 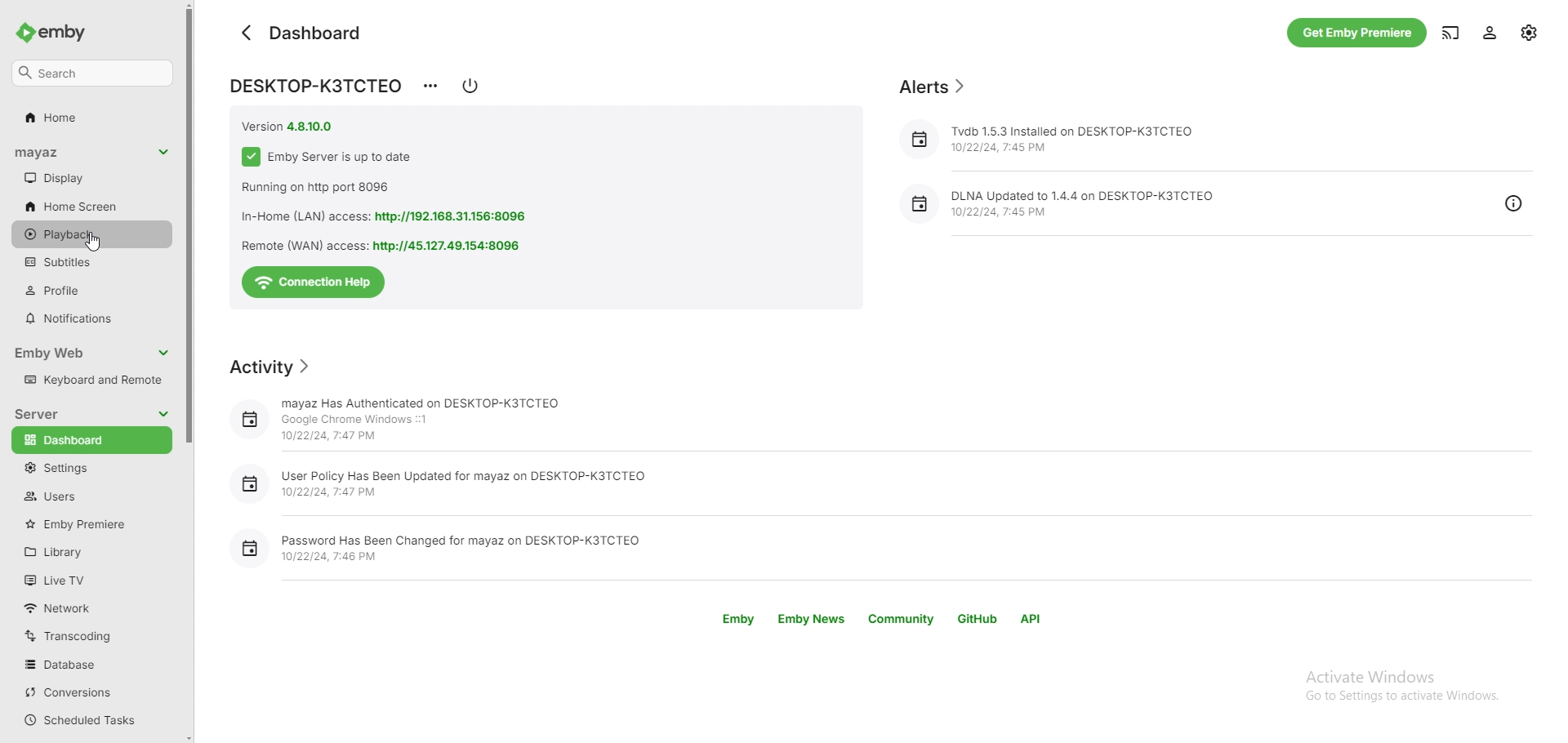 What do you see at coordinates (1049, 139) in the screenshot?
I see `Tvdb 1.5.3 Installed on DESKTOP-K3TCTEO
10/22/24, 7:45 PM` at bounding box center [1049, 139].